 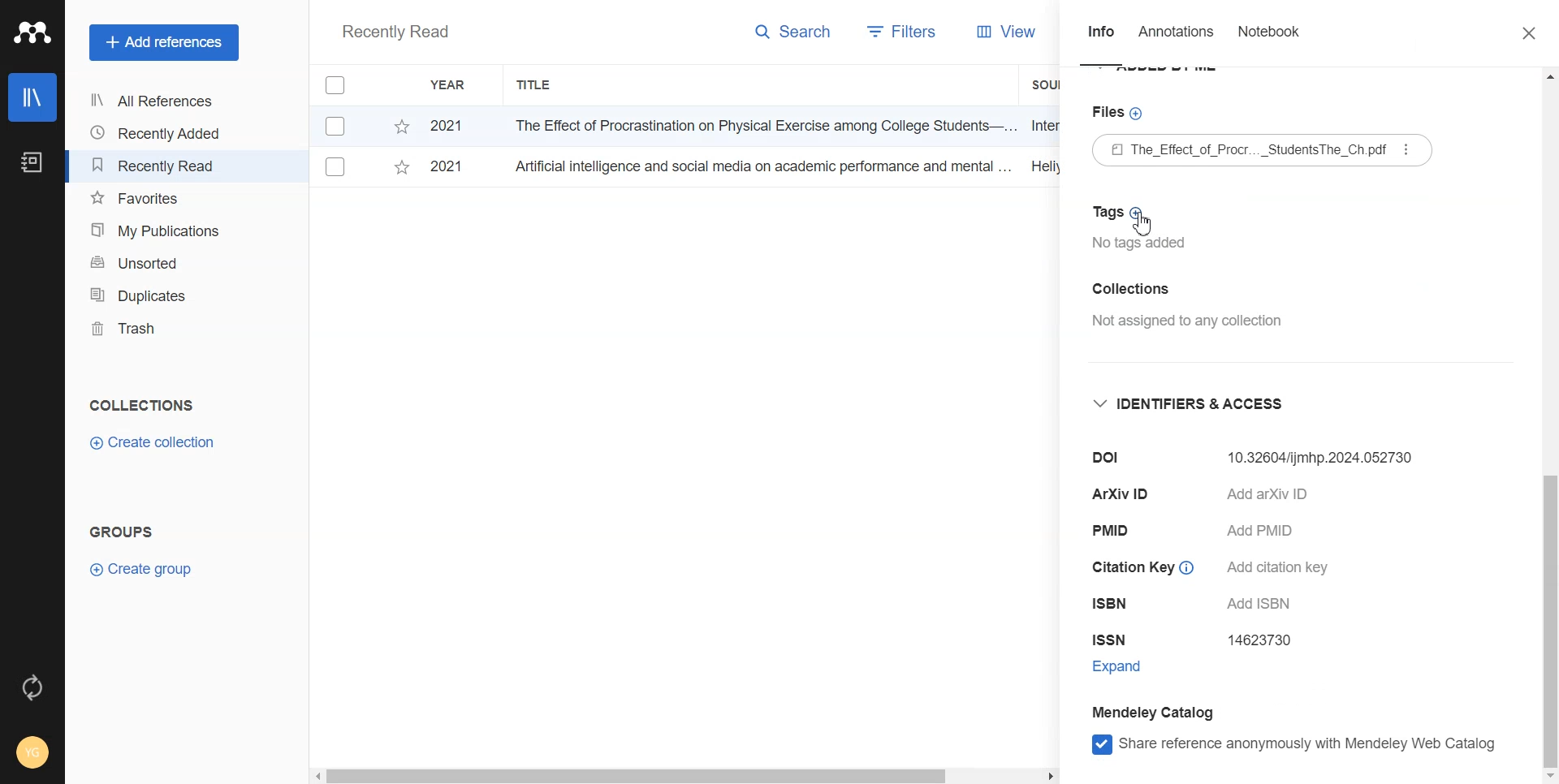 What do you see at coordinates (154, 443) in the screenshot?
I see `Create Collection` at bounding box center [154, 443].